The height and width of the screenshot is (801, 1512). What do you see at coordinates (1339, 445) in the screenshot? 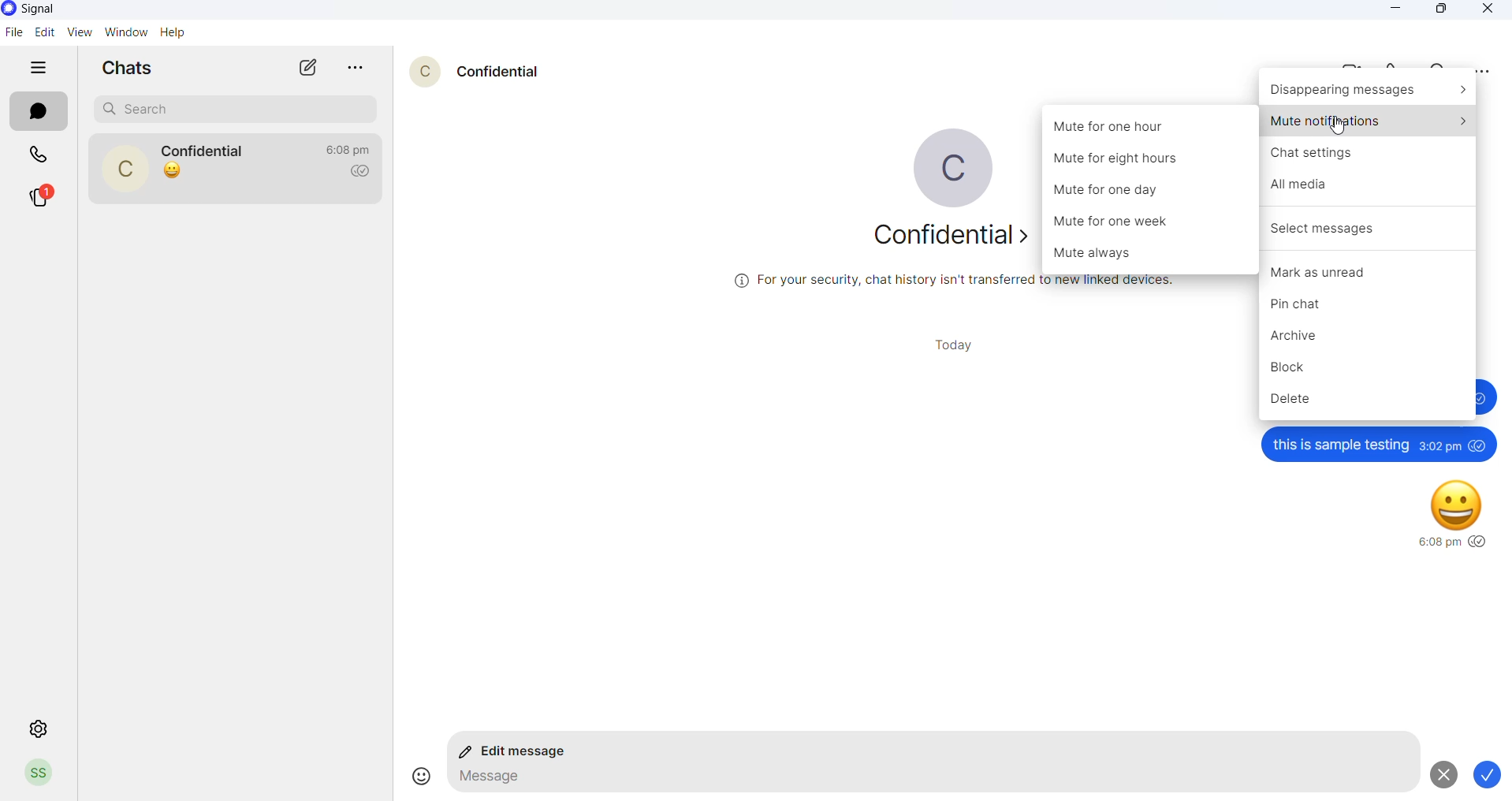
I see `this is a sample testing` at bounding box center [1339, 445].